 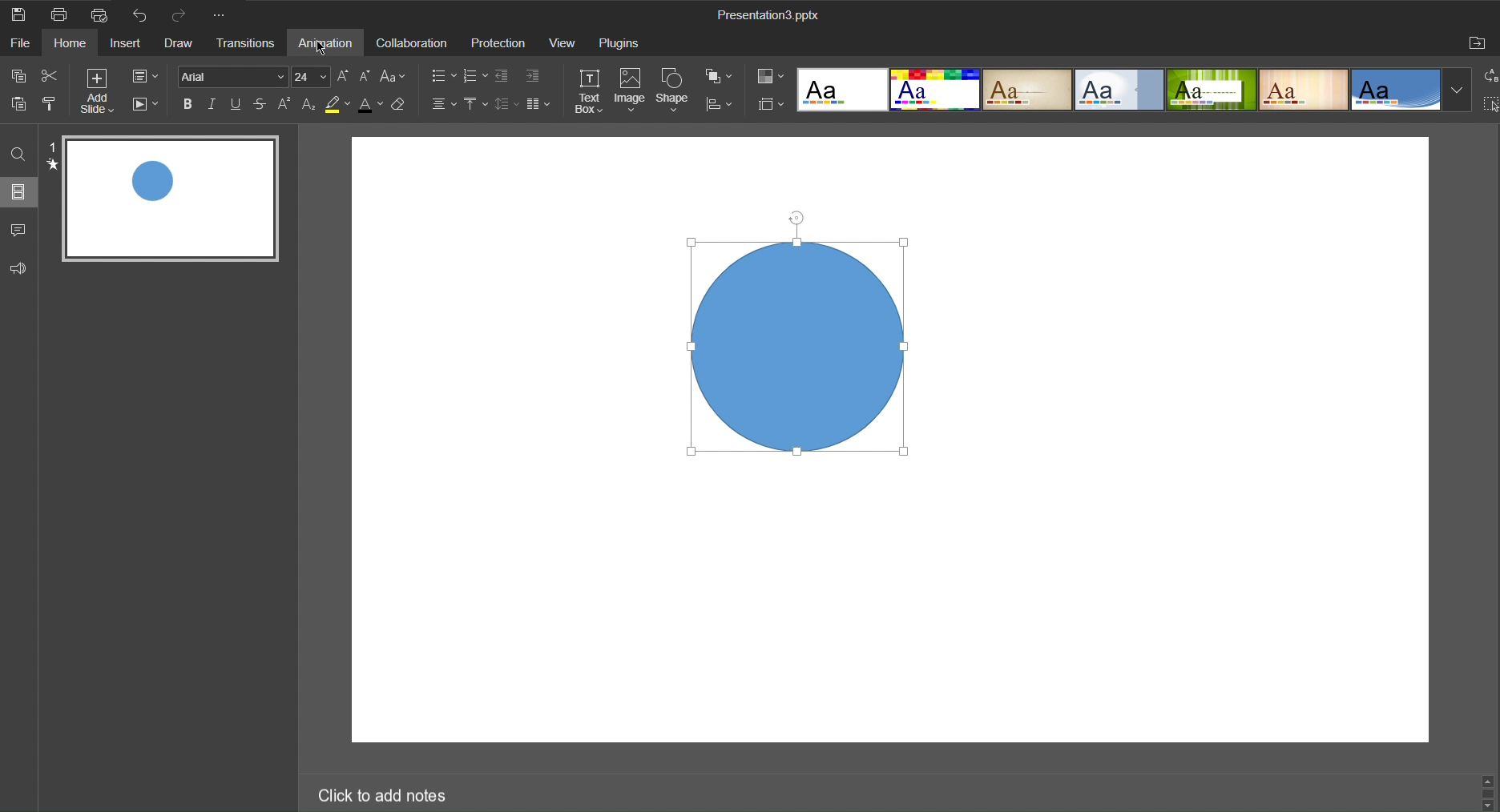 I want to click on Columns, so click(x=542, y=105).